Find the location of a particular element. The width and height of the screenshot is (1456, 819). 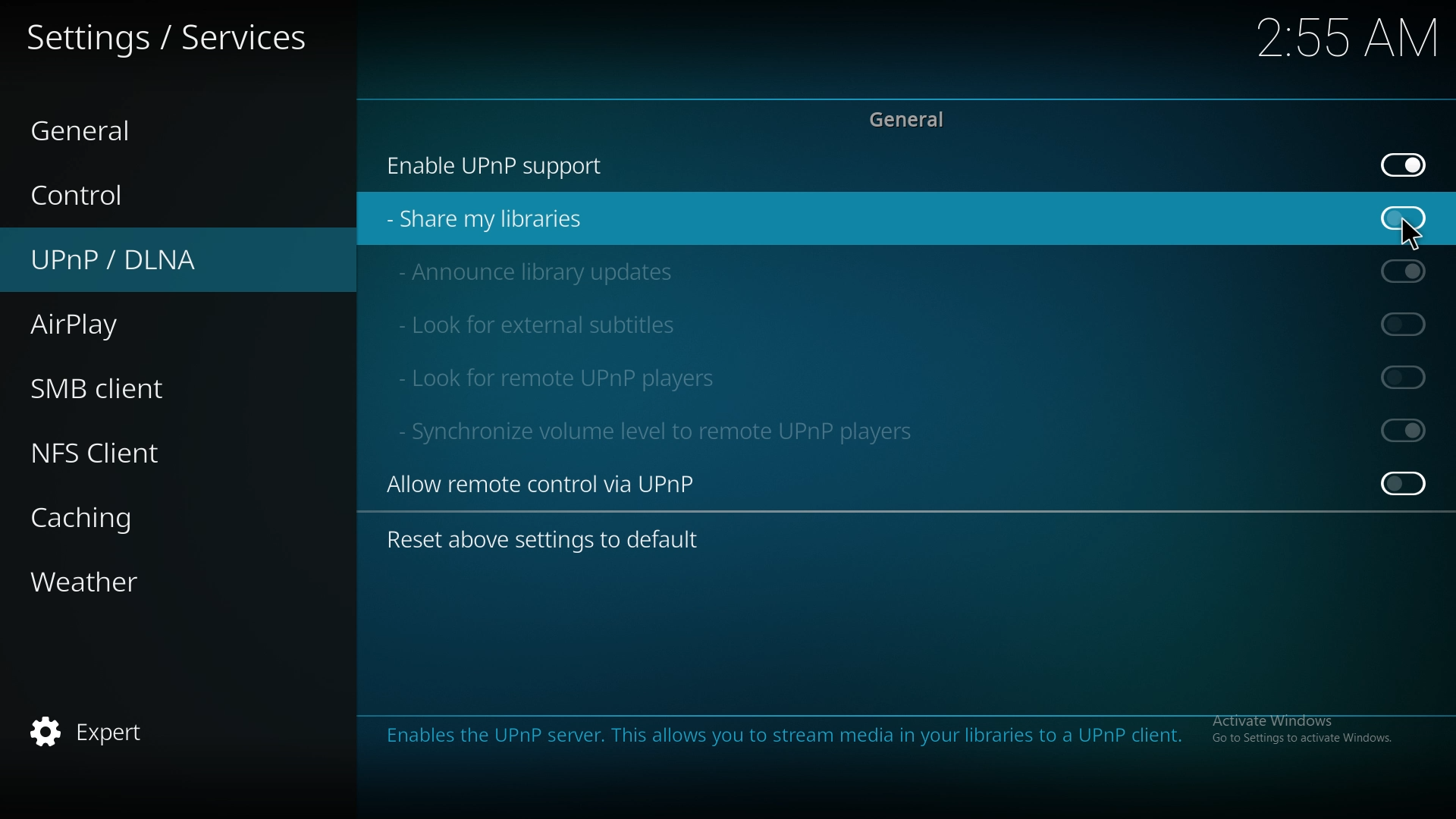

On (Greyed out) is located at coordinates (1404, 429).